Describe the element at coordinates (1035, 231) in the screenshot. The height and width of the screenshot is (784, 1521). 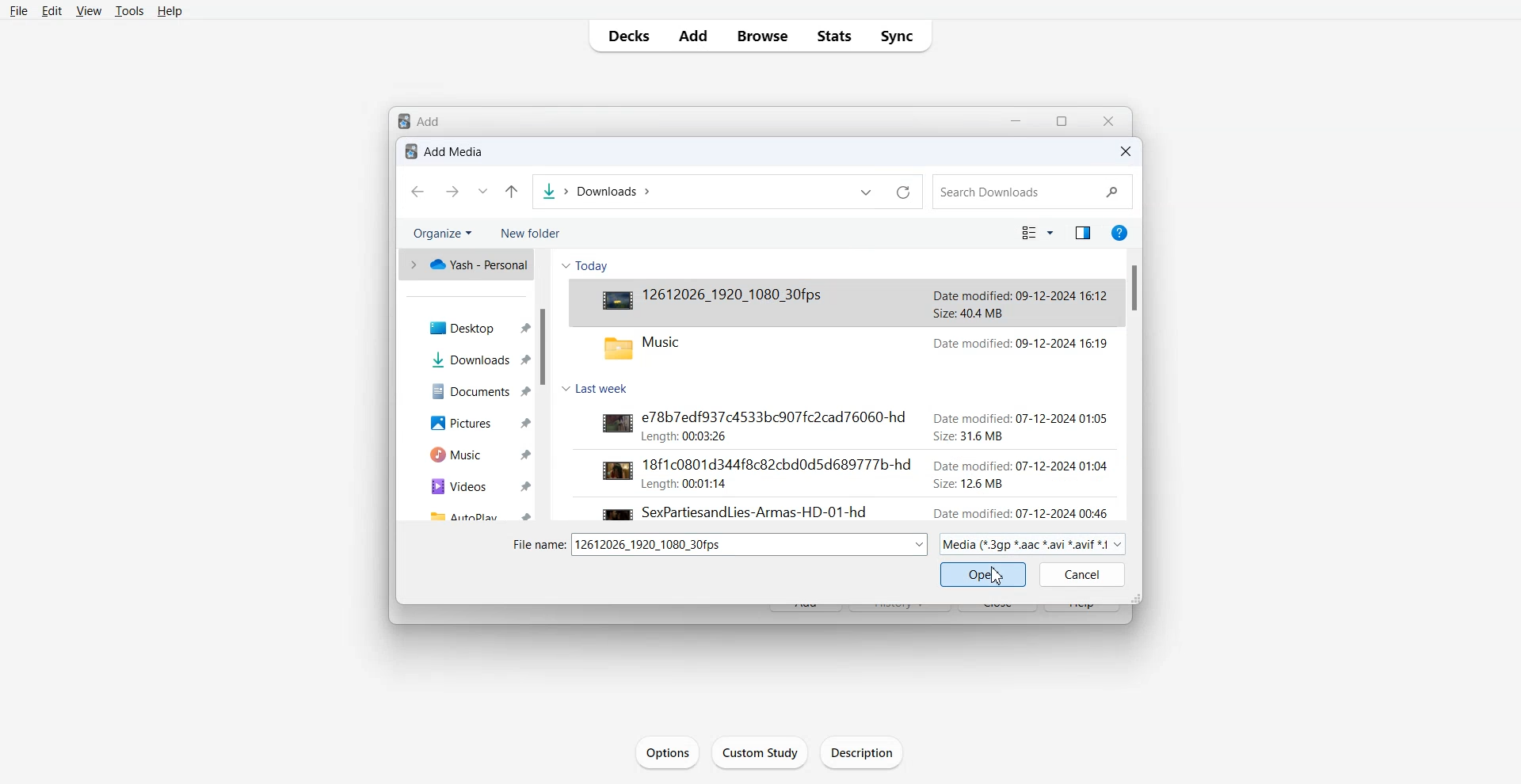
I see `Change the view mode` at that location.